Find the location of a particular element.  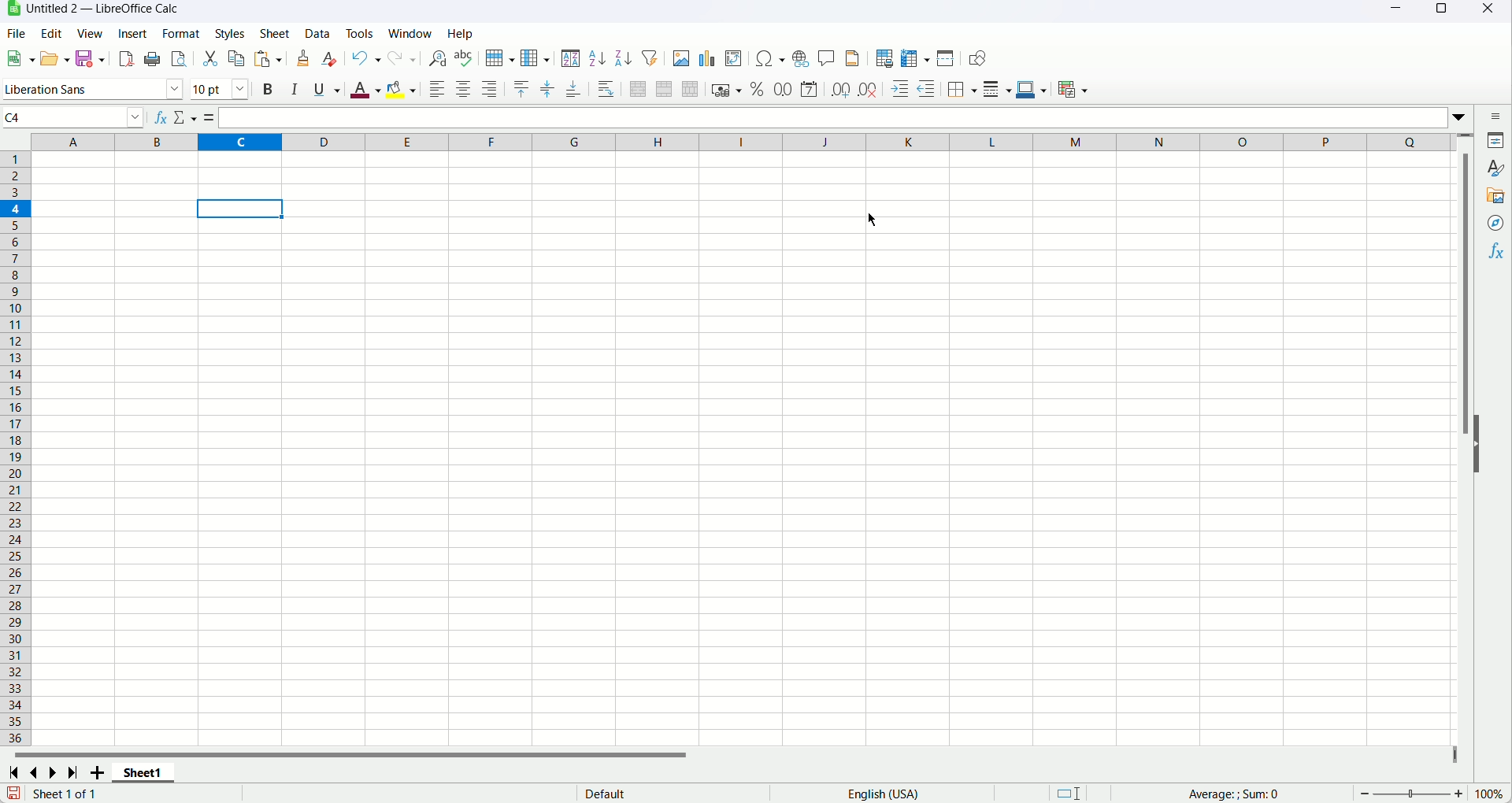

Autofilter is located at coordinates (650, 57).